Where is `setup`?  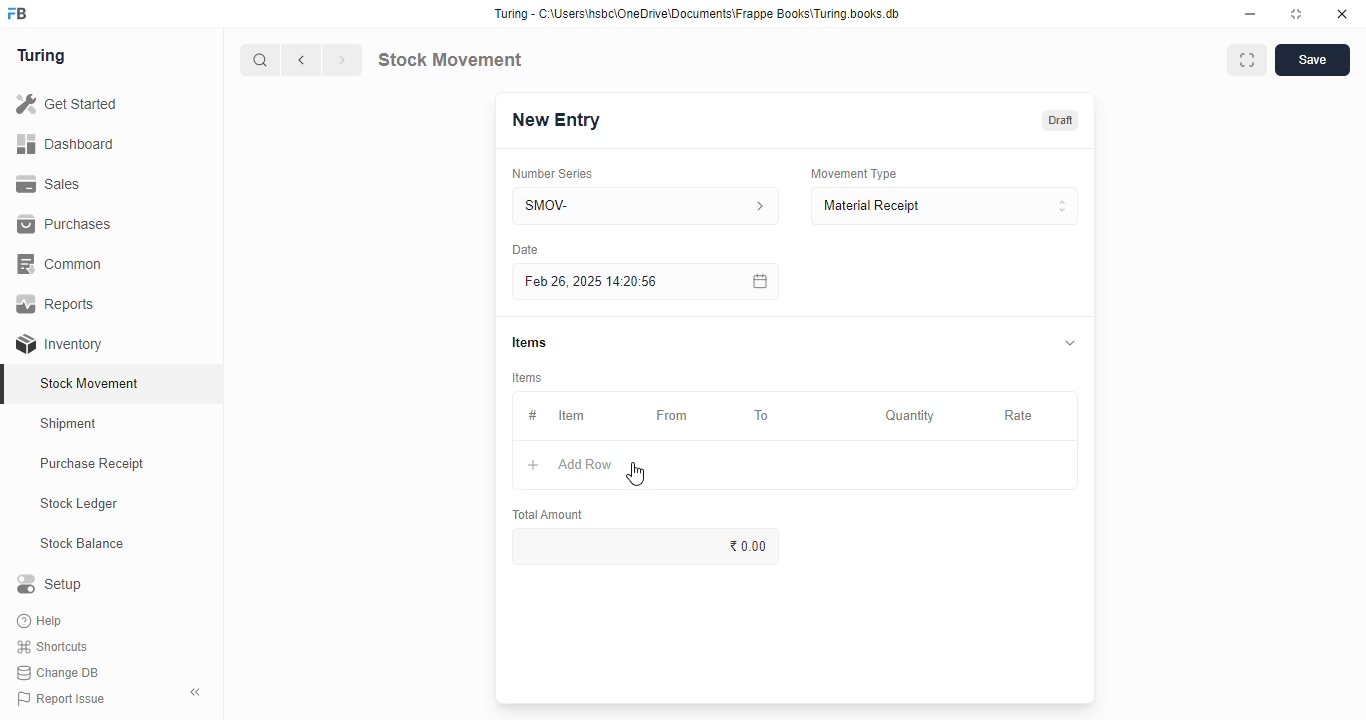 setup is located at coordinates (49, 583).